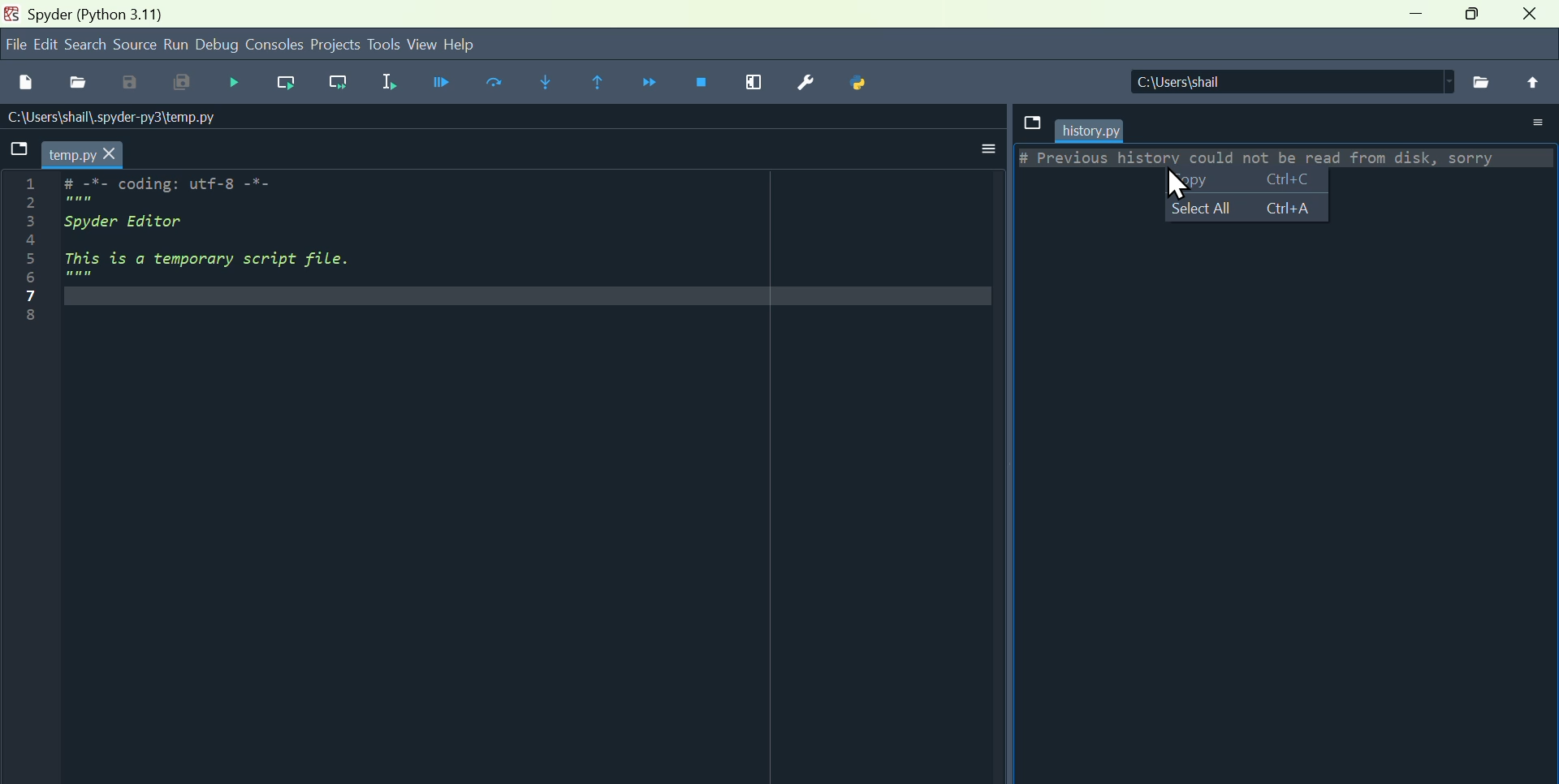 Image resolution: width=1559 pixels, height=784 pixels. What do you see at coordinates (1293, 81) in the screenshot?
I see `Directory` at bounding box center [1293, 81].